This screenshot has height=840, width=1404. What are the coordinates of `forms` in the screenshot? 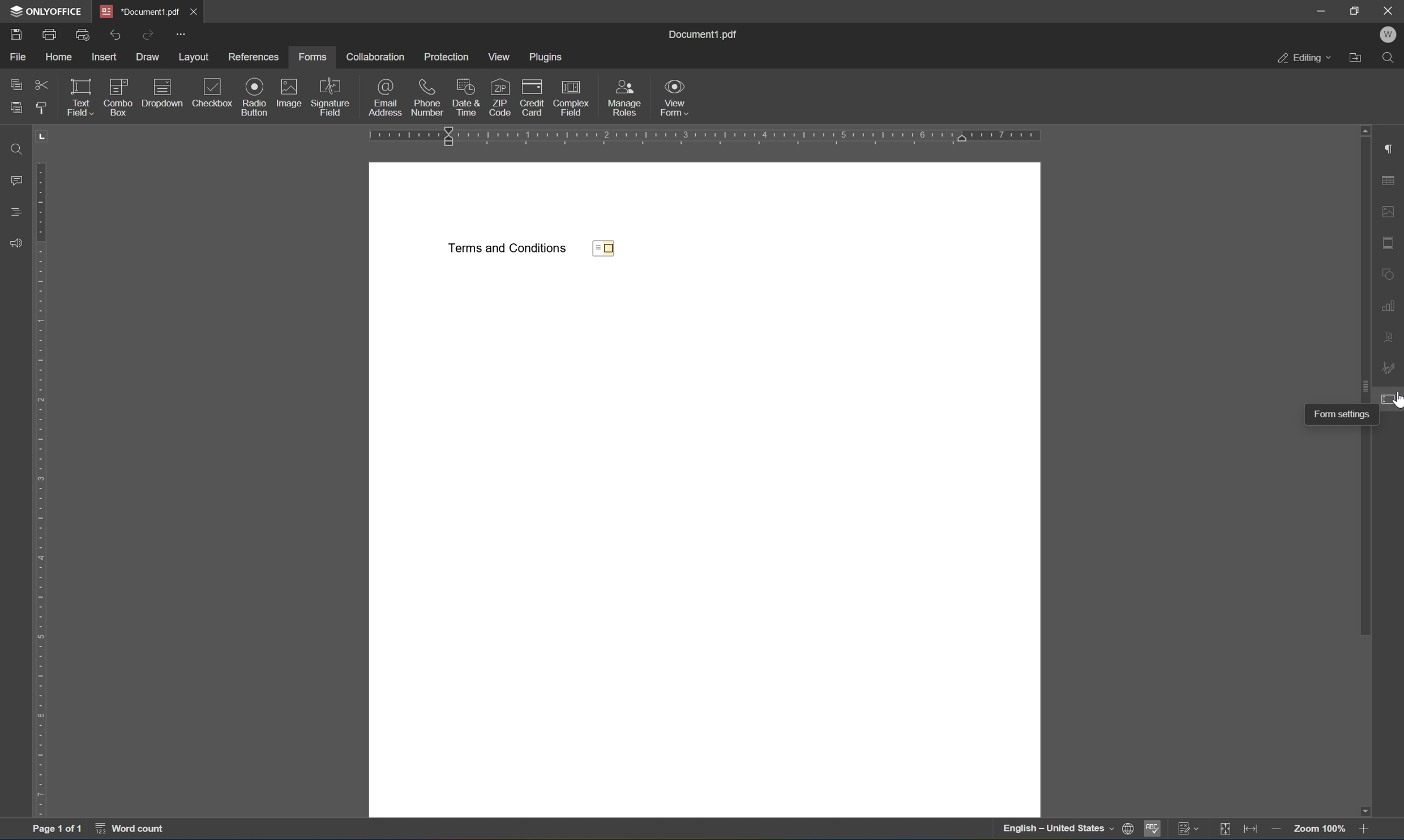 It's located at (314, 57).